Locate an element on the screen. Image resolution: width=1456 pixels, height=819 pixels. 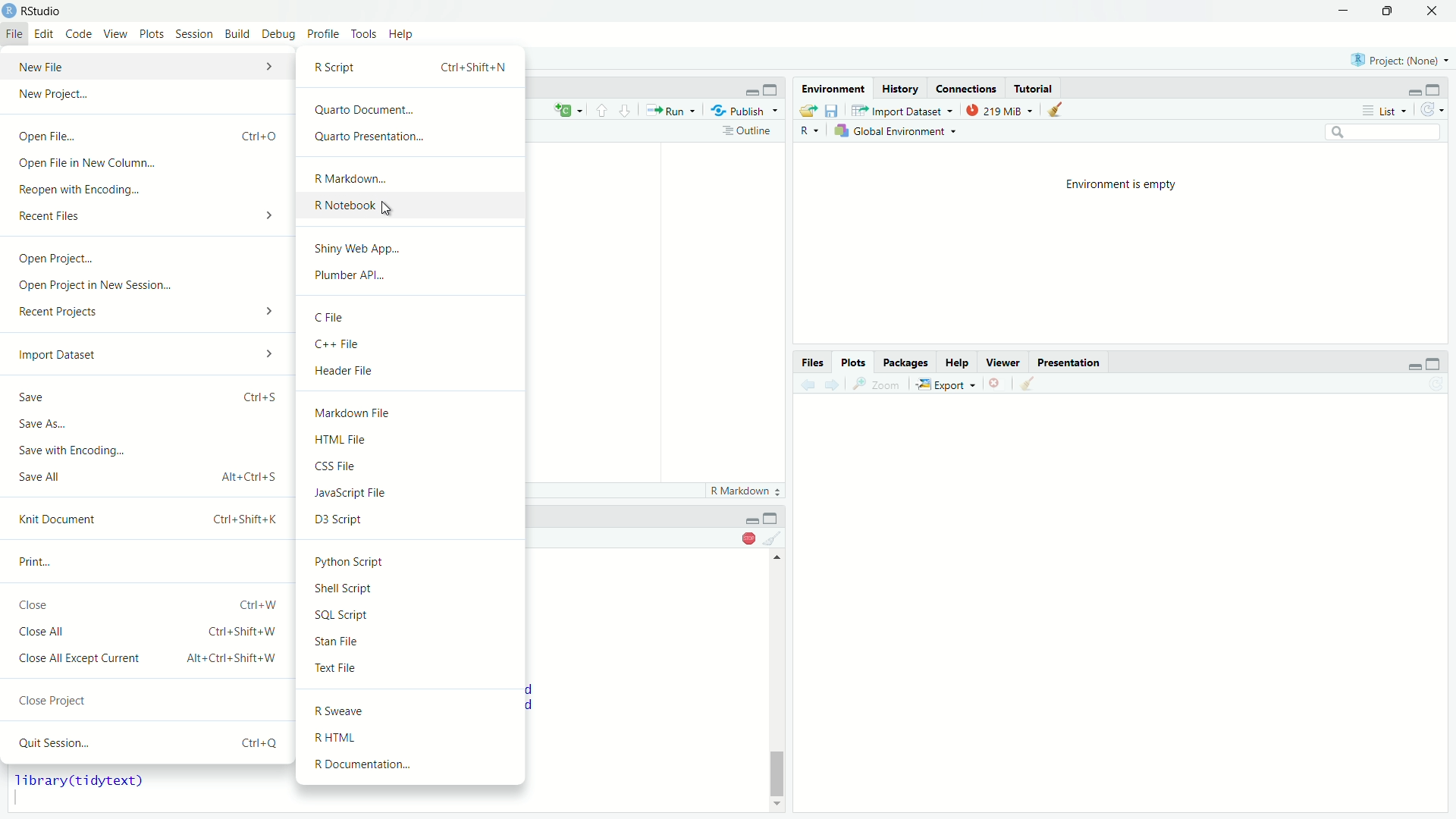
Open Project... is located at coordinates (147, 260).